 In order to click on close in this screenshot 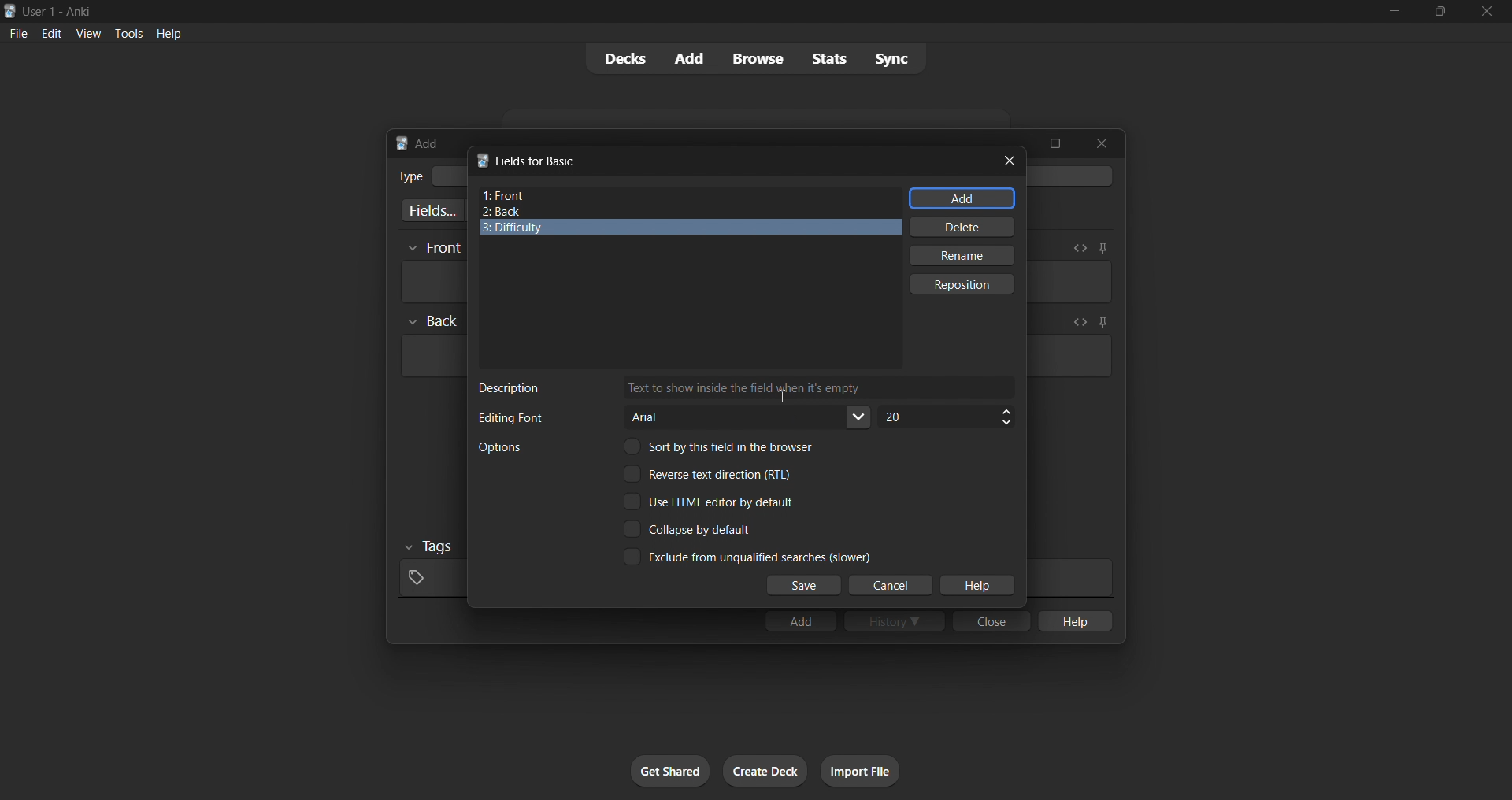, I will do `click(1102, 143)`.